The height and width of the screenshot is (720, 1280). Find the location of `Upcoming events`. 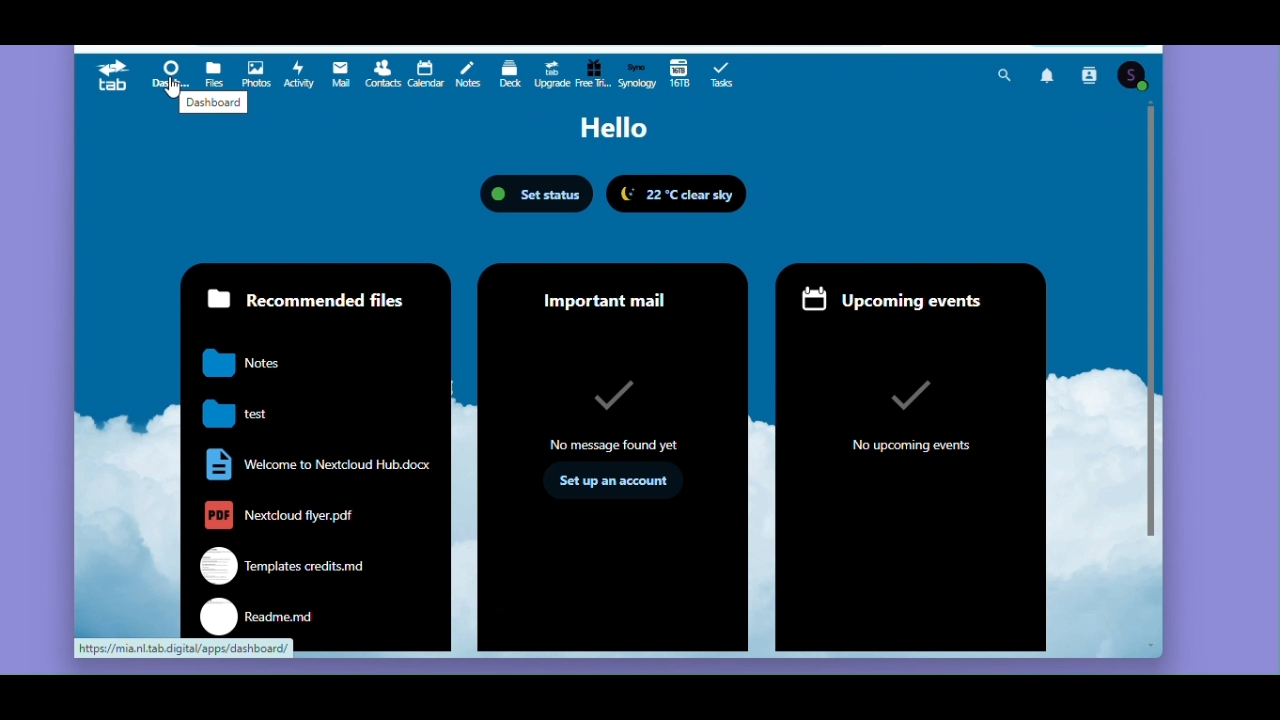

Upcoming events is located at coordinates (917, 455).